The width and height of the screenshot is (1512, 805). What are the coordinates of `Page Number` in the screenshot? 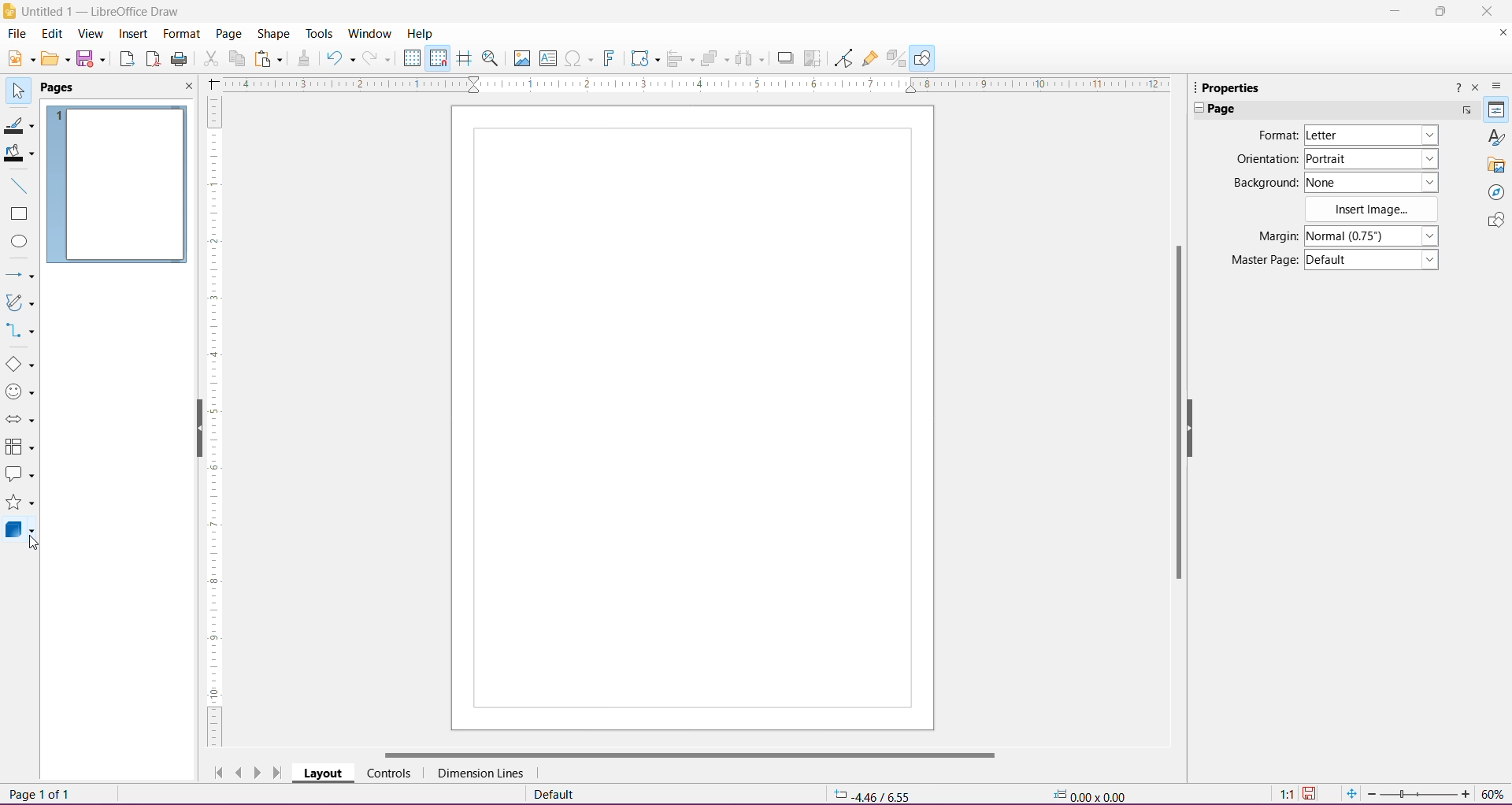 It's located at (43, 793).